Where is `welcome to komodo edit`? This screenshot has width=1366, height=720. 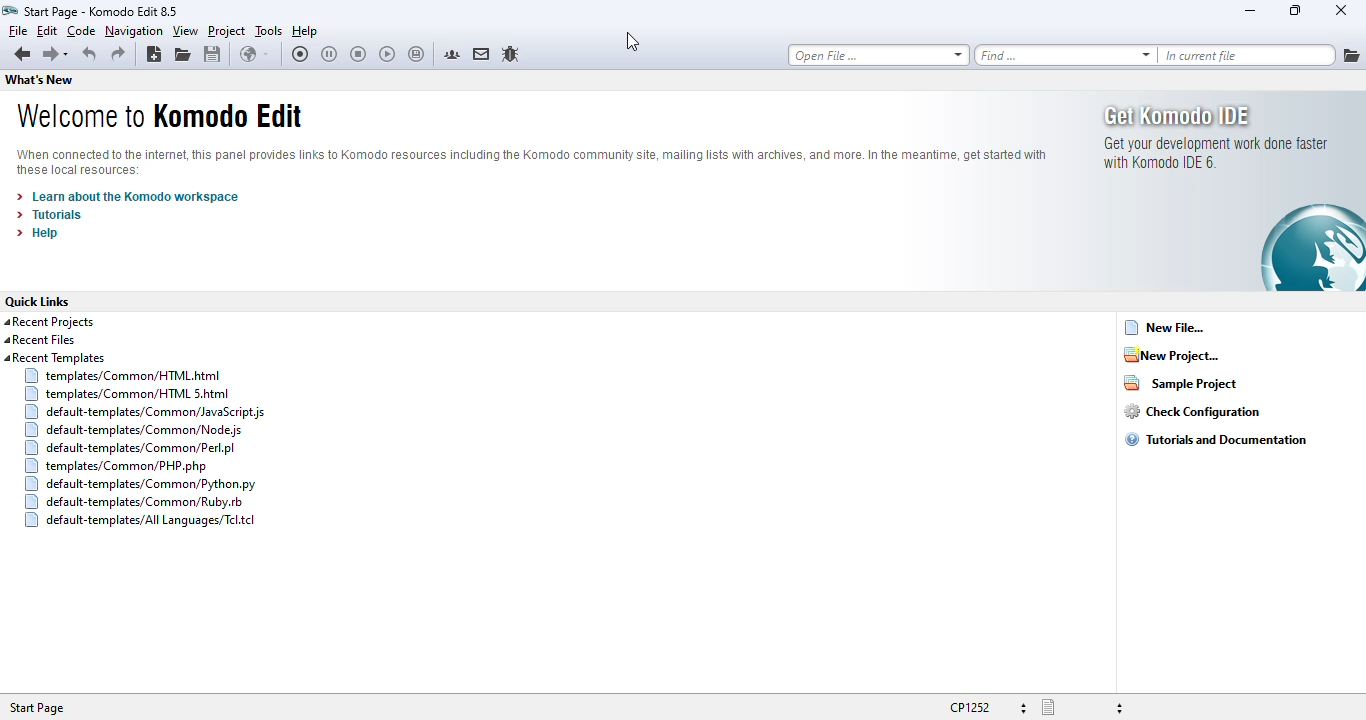 welcome to komodo edit is located at coordinates (158, 115).